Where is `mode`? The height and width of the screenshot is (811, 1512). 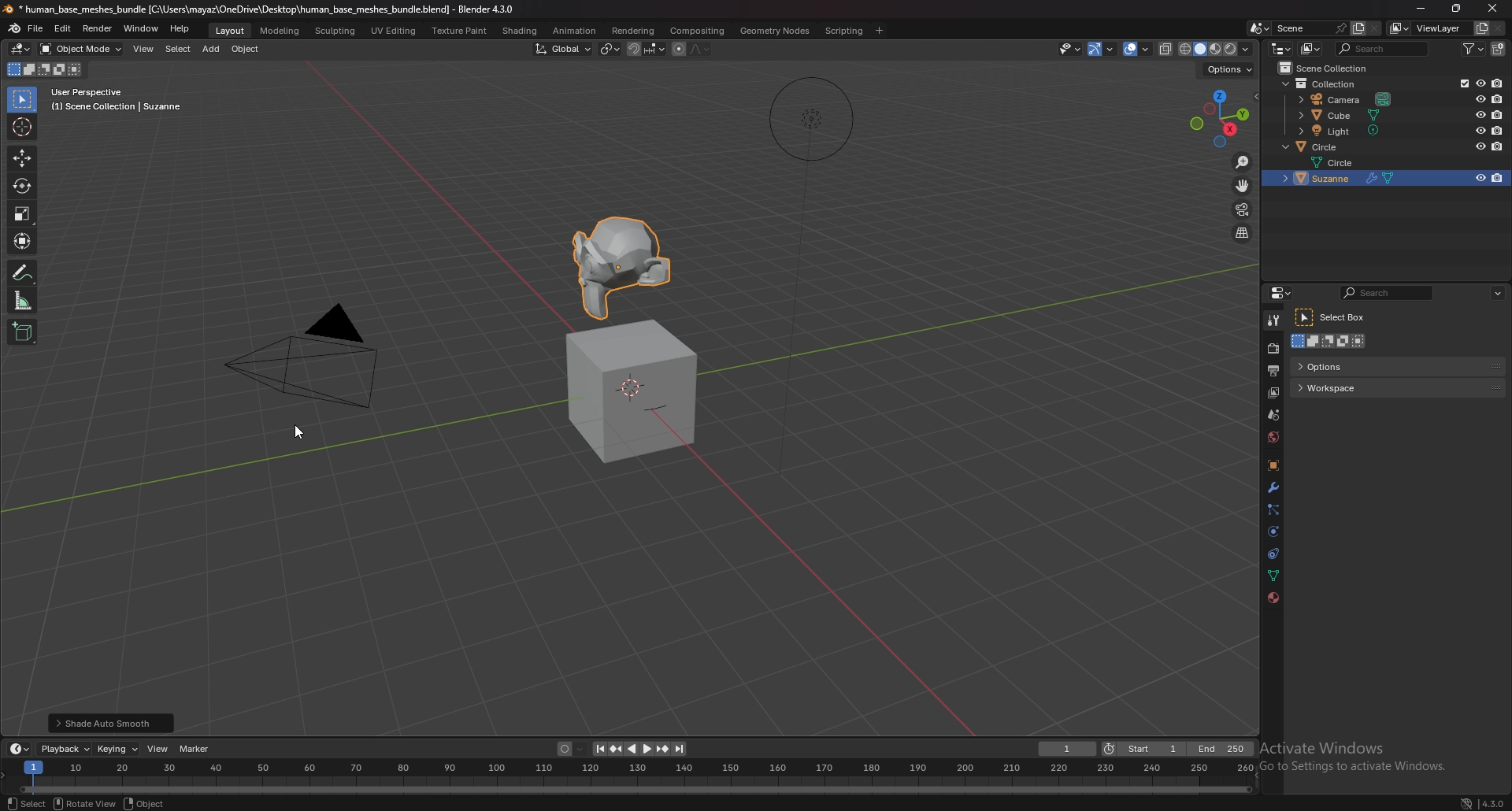
mode is located at coordinates (47, 69).